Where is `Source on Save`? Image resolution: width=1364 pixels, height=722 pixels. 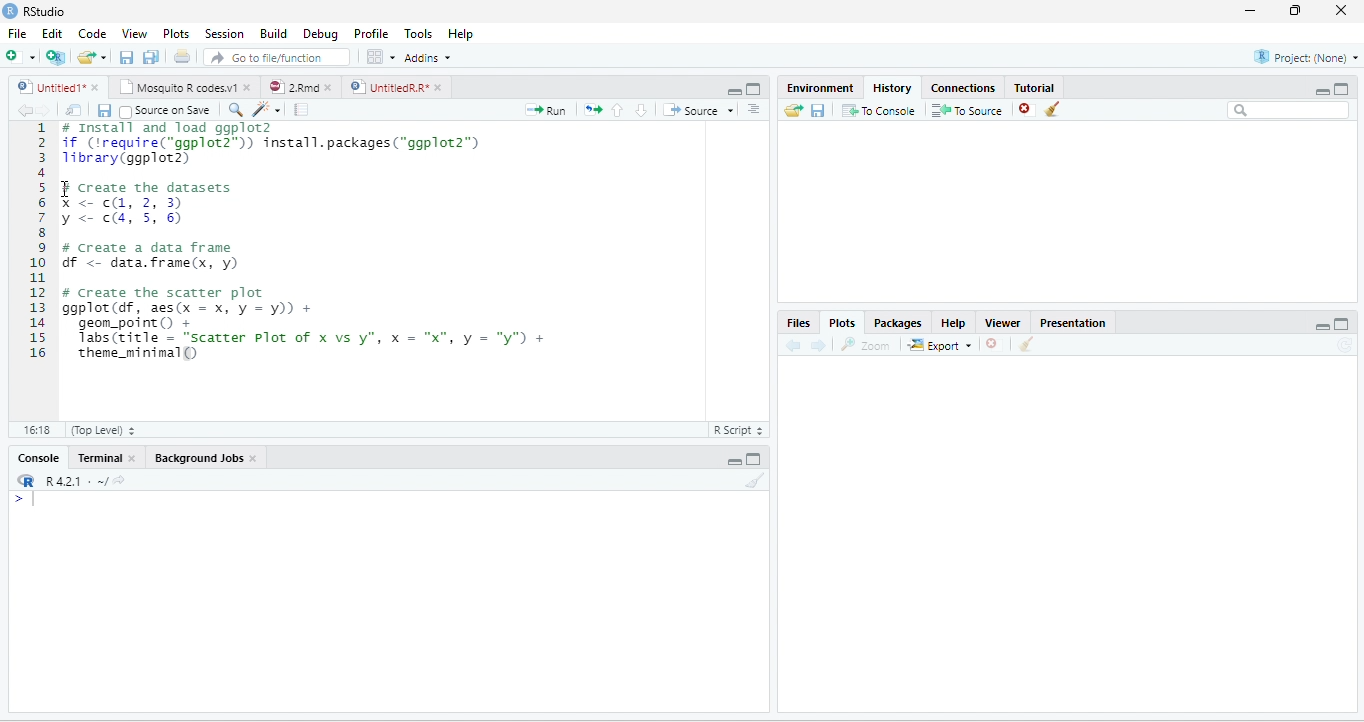 Source on Save is located at coordinates (166, 112).